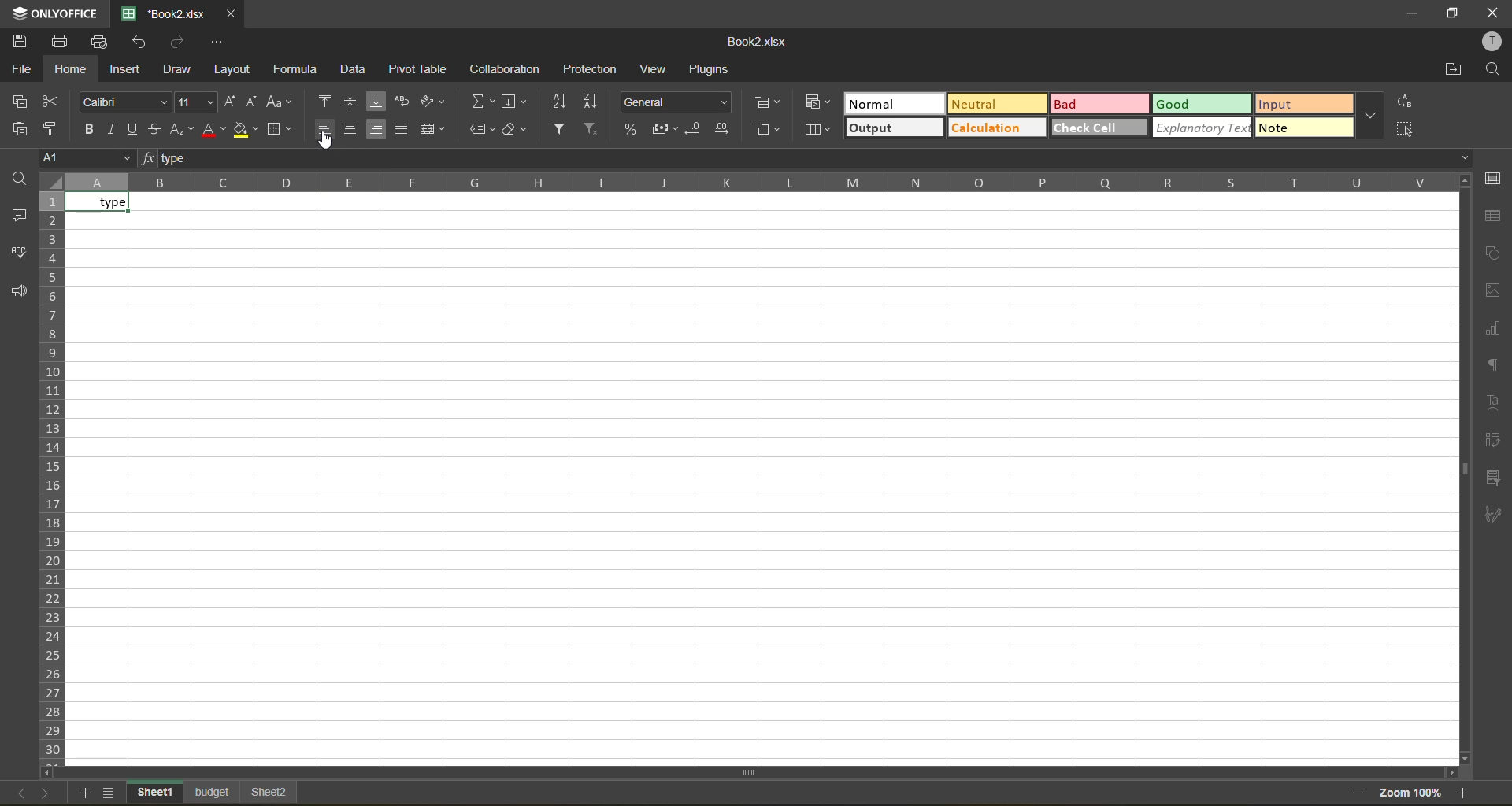  What do you see at coordinates (678, 102) in the screenshot?
I see `number format` at bounding box center [678, 102].